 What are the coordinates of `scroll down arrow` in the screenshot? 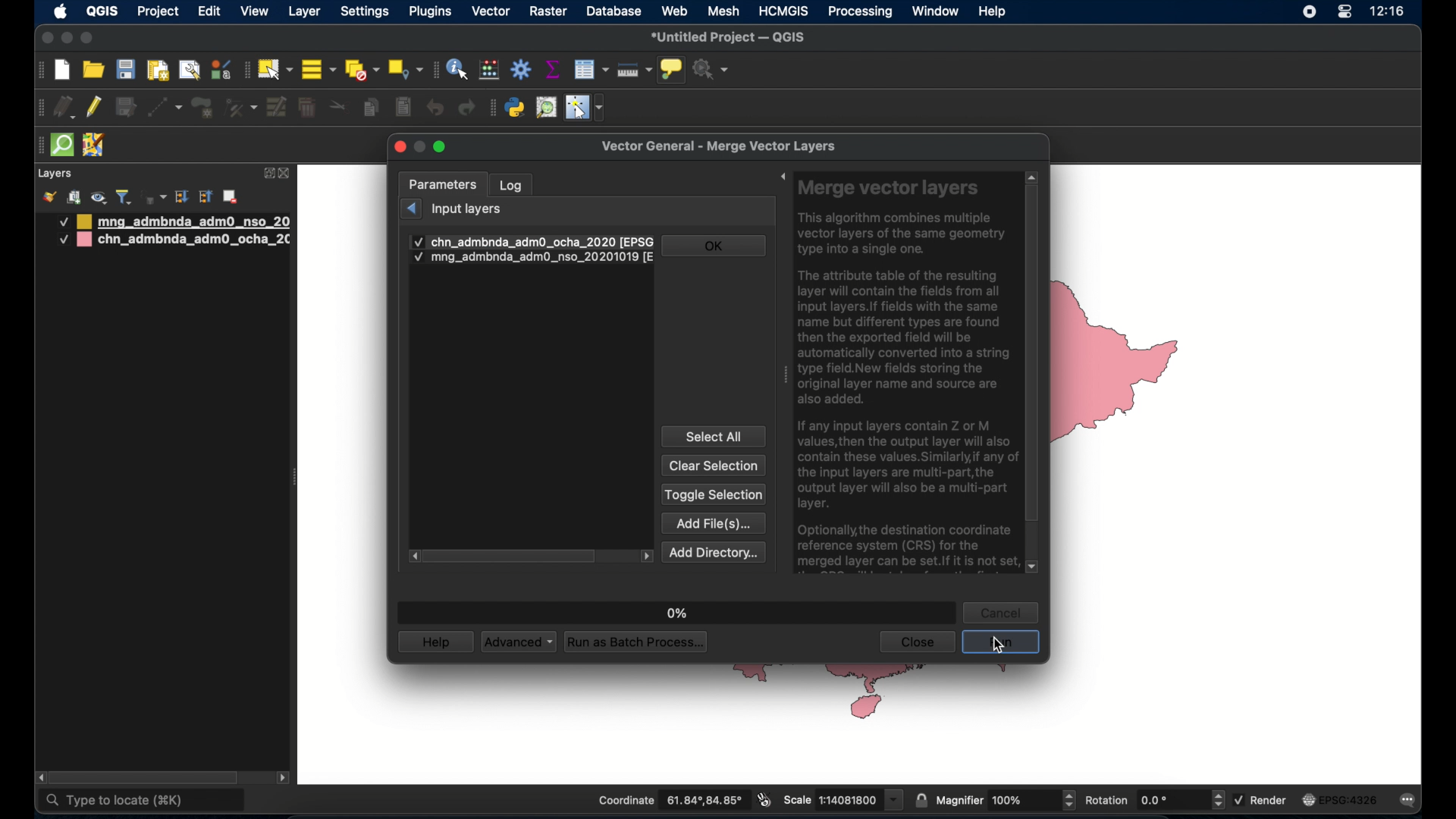 It's located at (1034, 568).